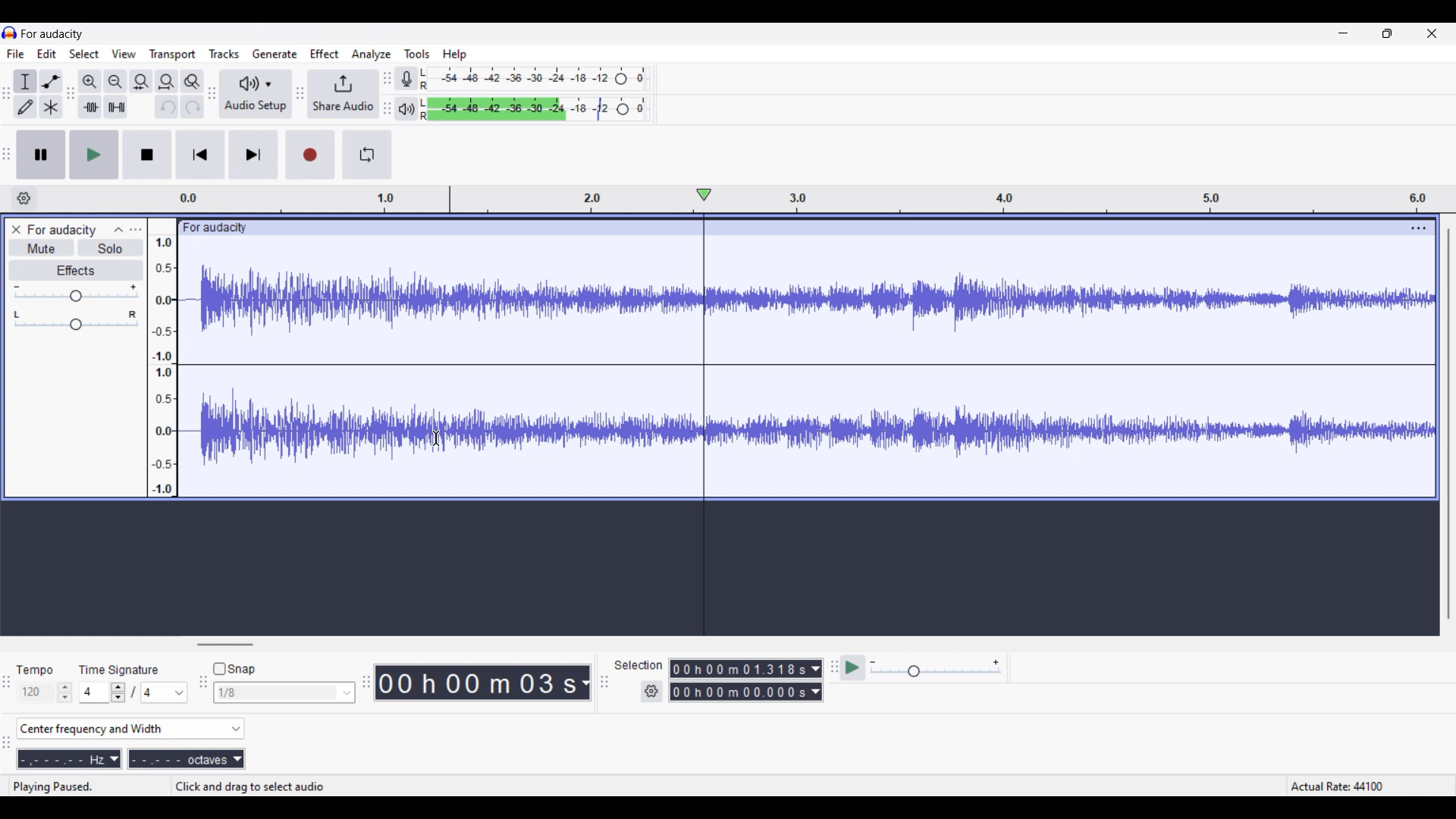 This screenshot has height=819, width=1456. I want to click on Pan scale, so click(76, 320).